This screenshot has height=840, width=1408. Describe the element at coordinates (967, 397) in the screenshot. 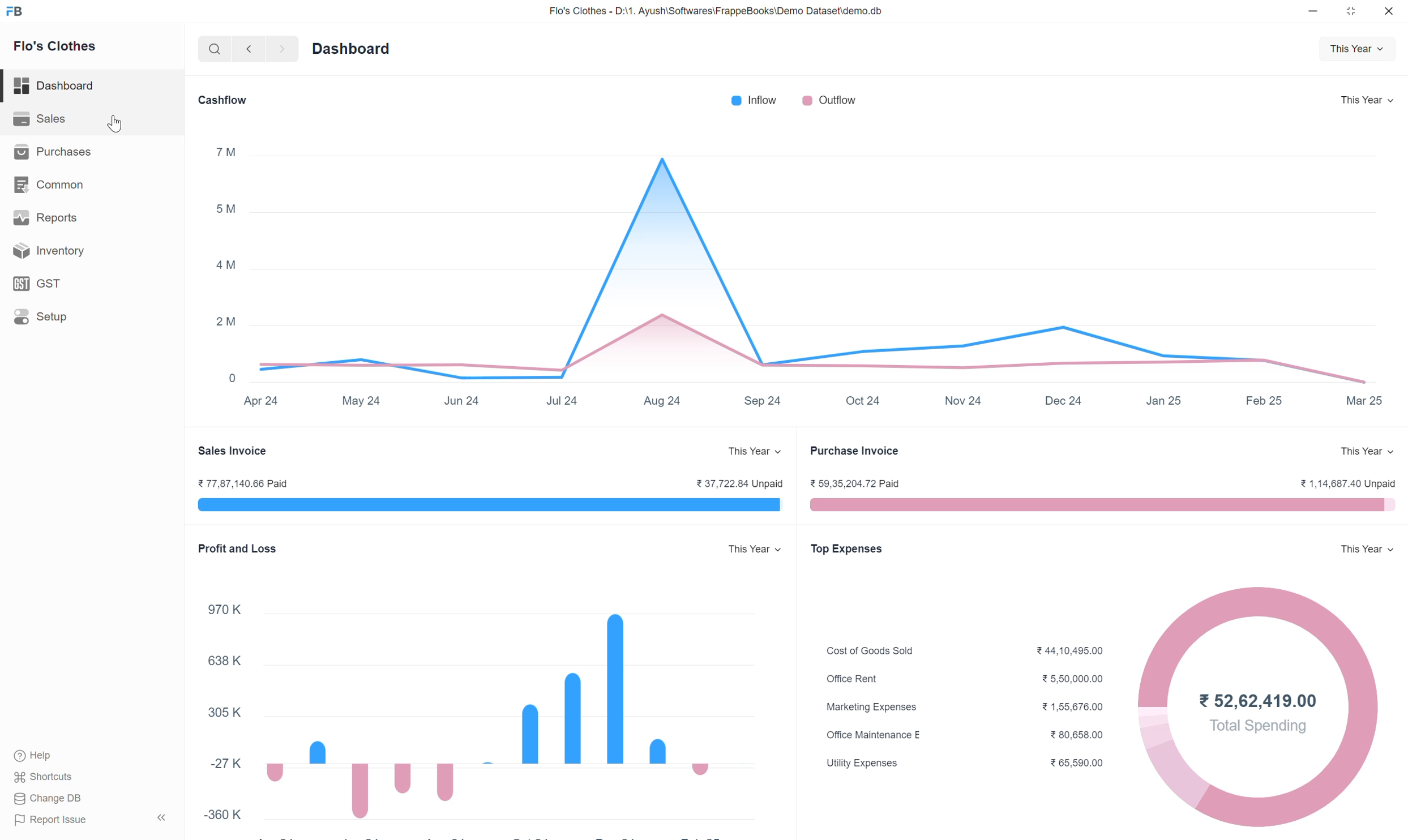

I see `Nov 24` at that location.